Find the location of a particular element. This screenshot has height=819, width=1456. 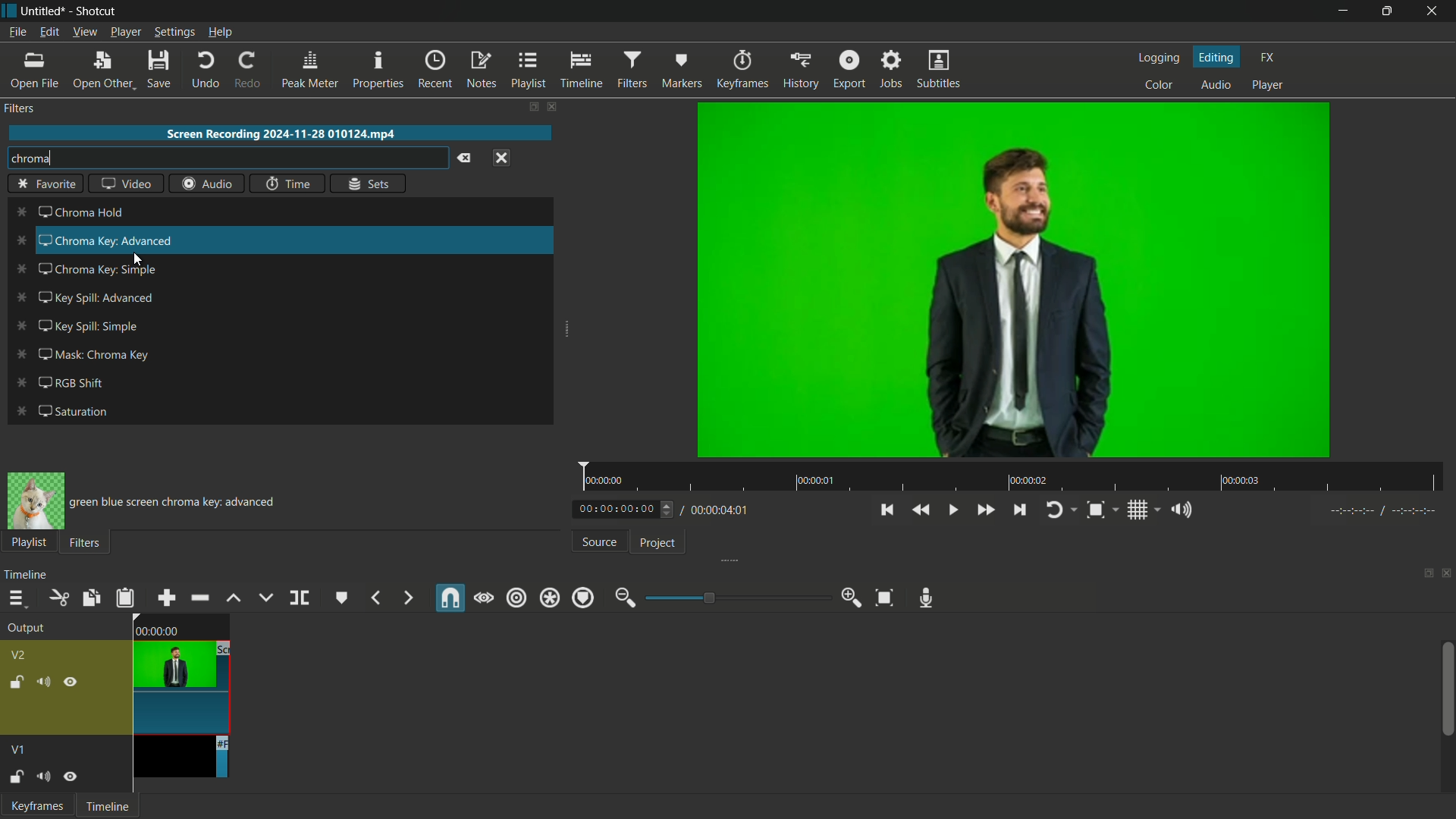

Chroma is located at coordinates (224, 158).